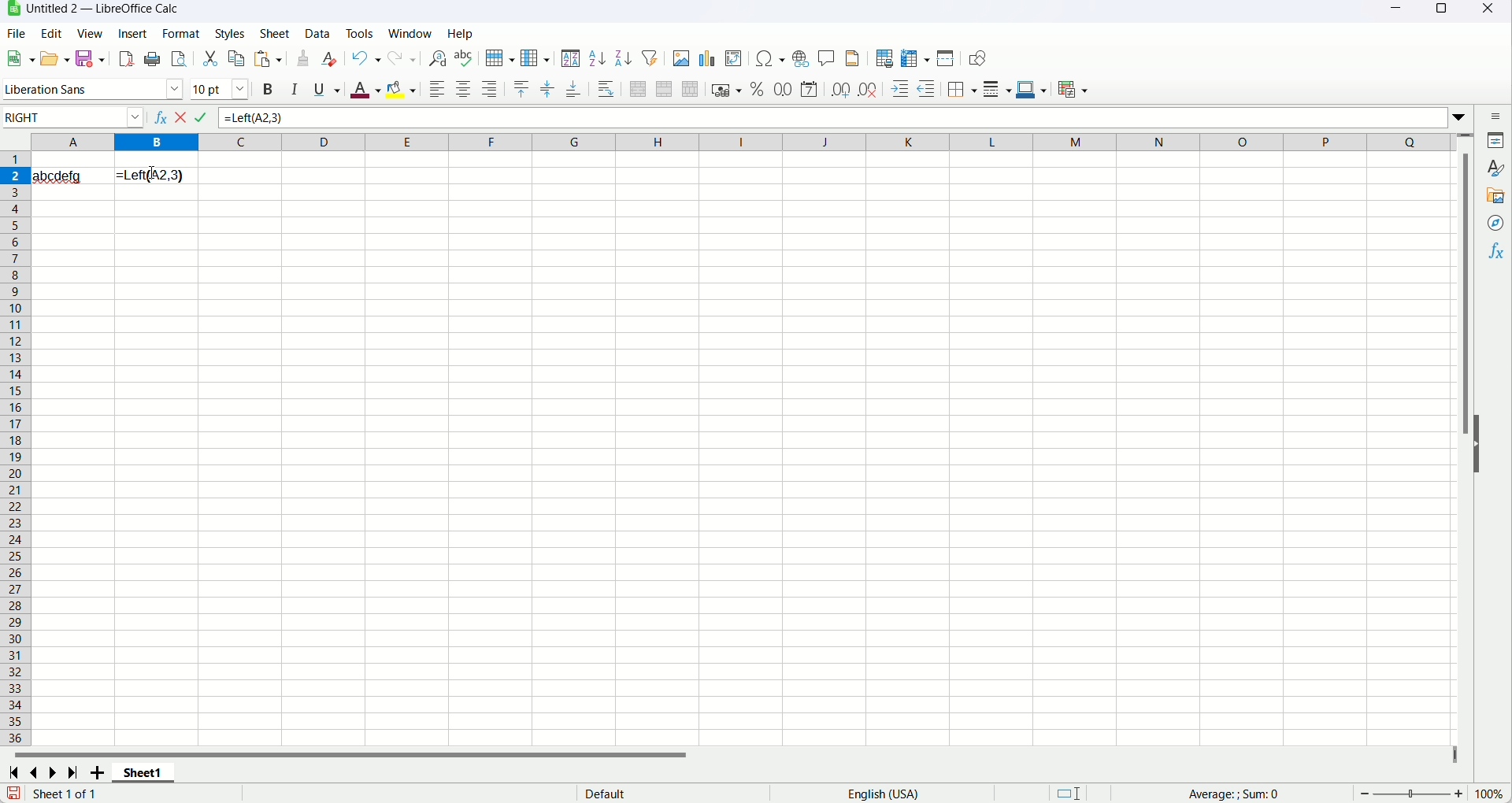  What do you see at coordinates (277, 33) in the screenshot?
I see `sheet` at bounding box center [277, 33].